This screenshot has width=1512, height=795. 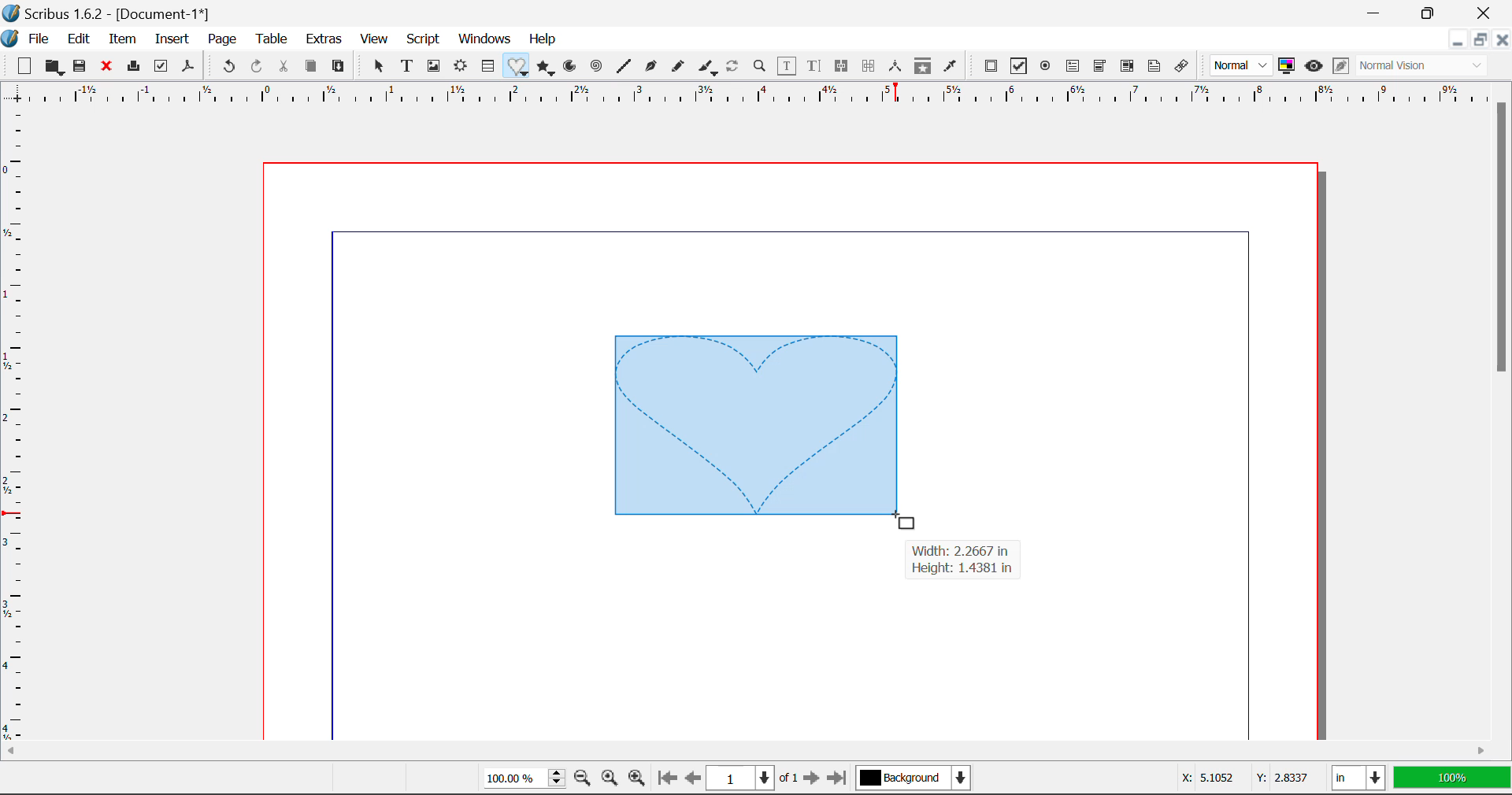 What do you see at coordinates (408, 67) in the screenshot?
I see `Text Frames` at bounding box center [408, 67].